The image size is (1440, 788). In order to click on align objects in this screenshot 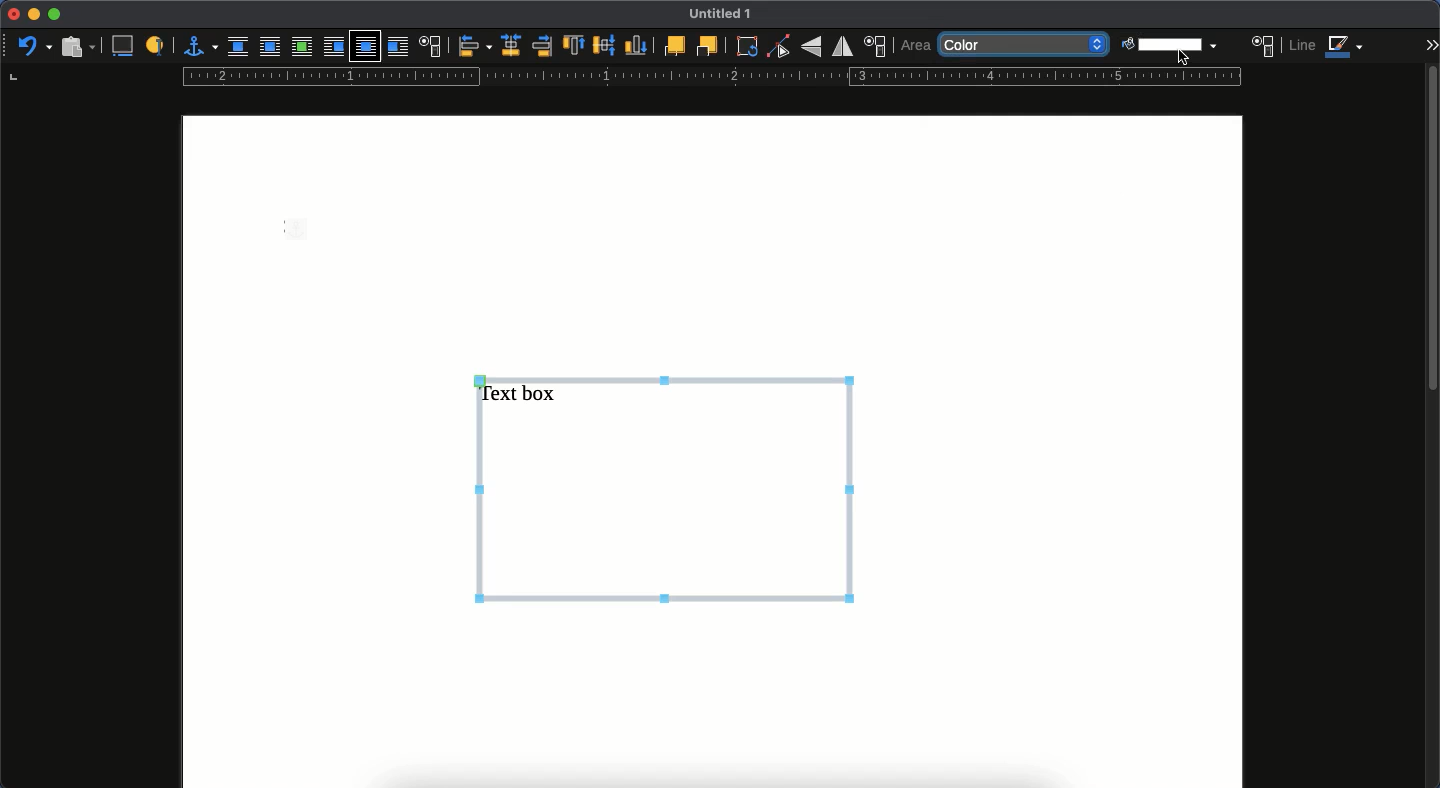, I will do `click(474, 47)`.